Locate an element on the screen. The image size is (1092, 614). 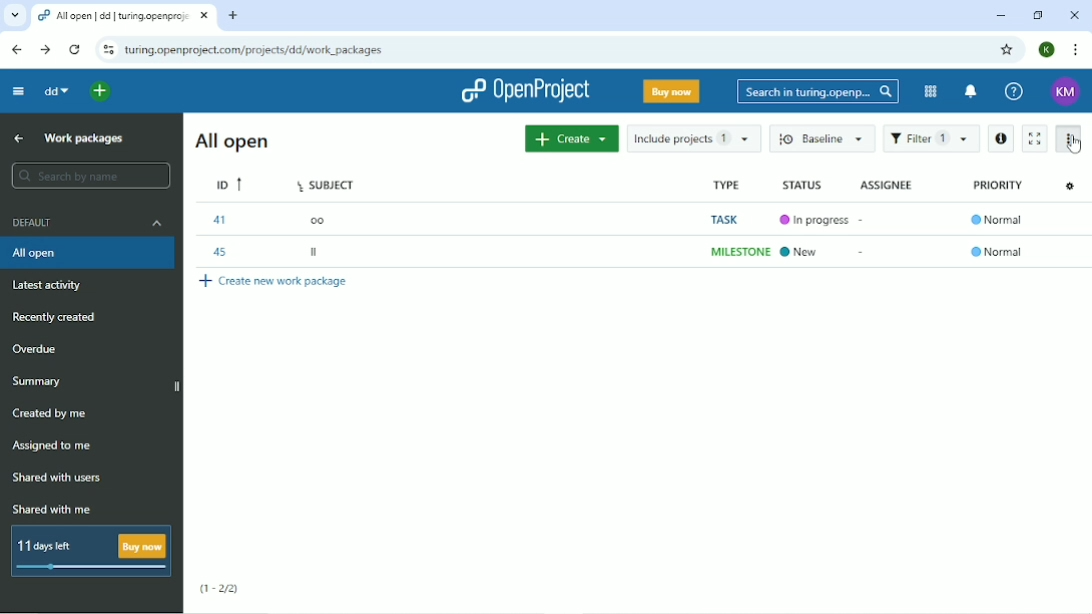
Shared with users is located at coordinates (56, 480).